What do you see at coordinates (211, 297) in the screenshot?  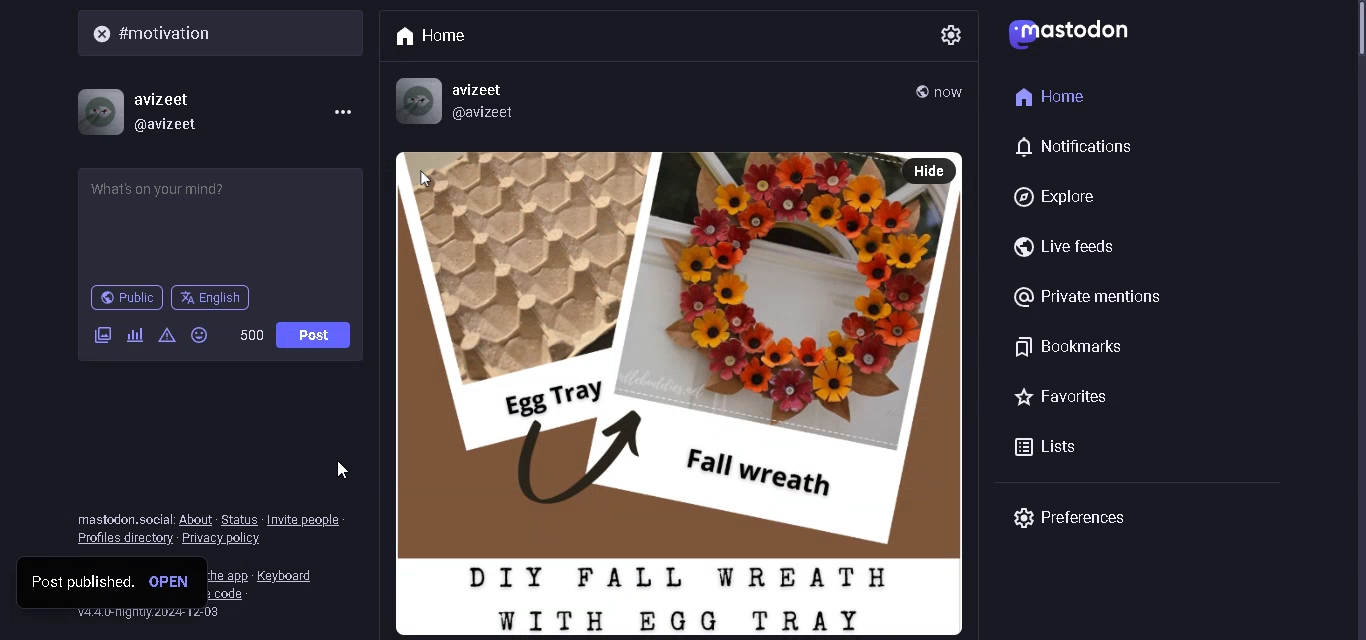 I see `englishlanguage` at bounding box center [211, 297].